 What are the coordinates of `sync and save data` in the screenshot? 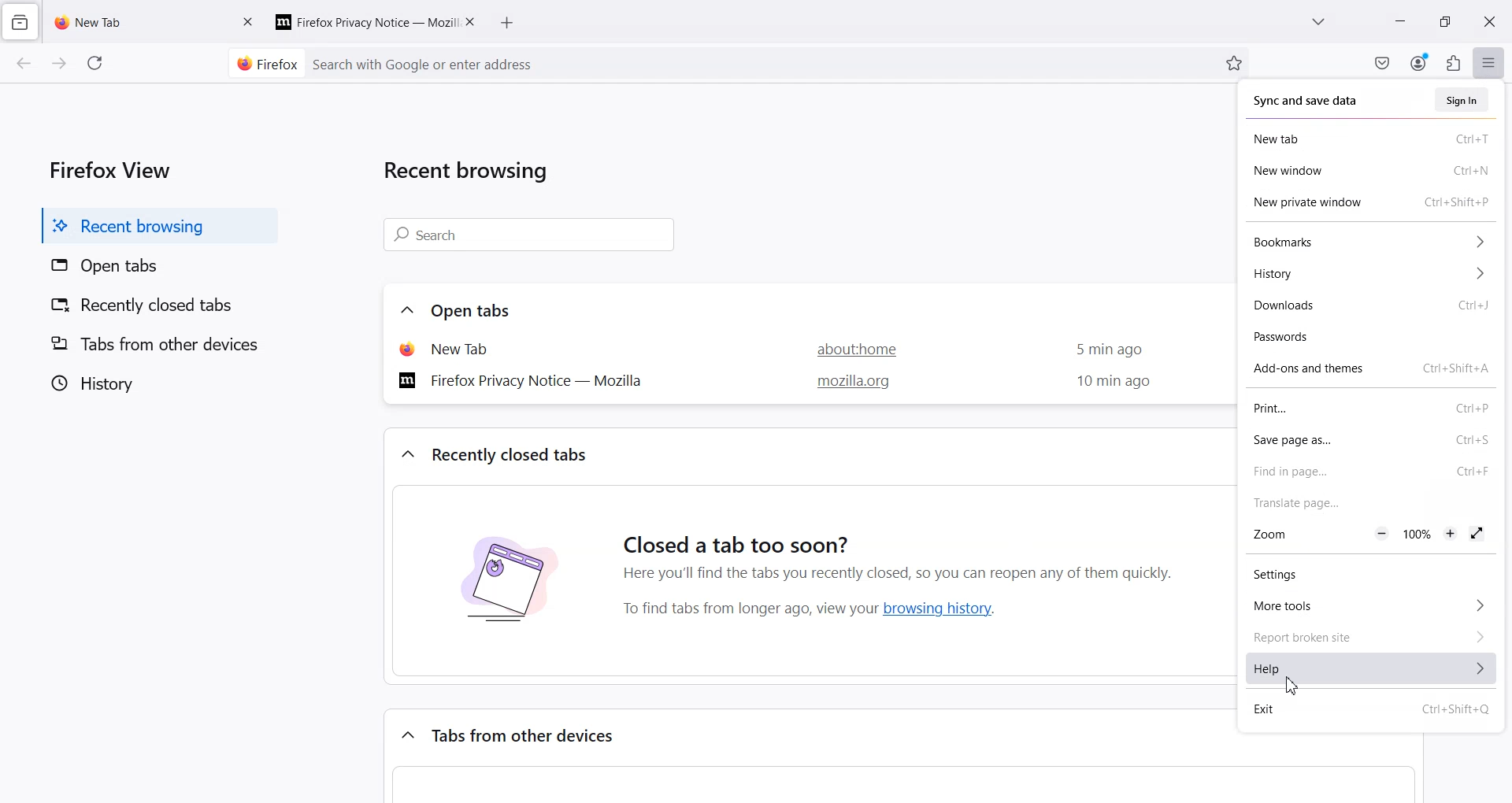 It's located at (1338, 99).